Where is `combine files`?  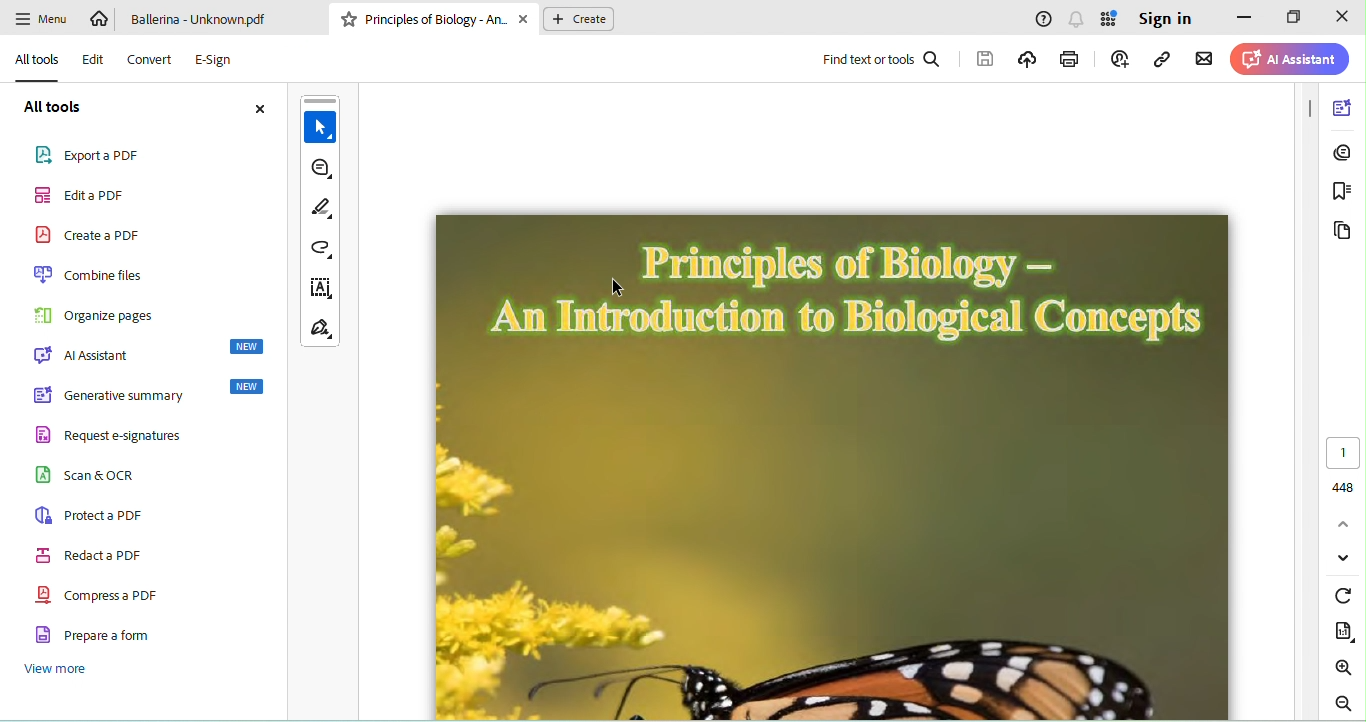
combine files is located at coordinates (94, 275).